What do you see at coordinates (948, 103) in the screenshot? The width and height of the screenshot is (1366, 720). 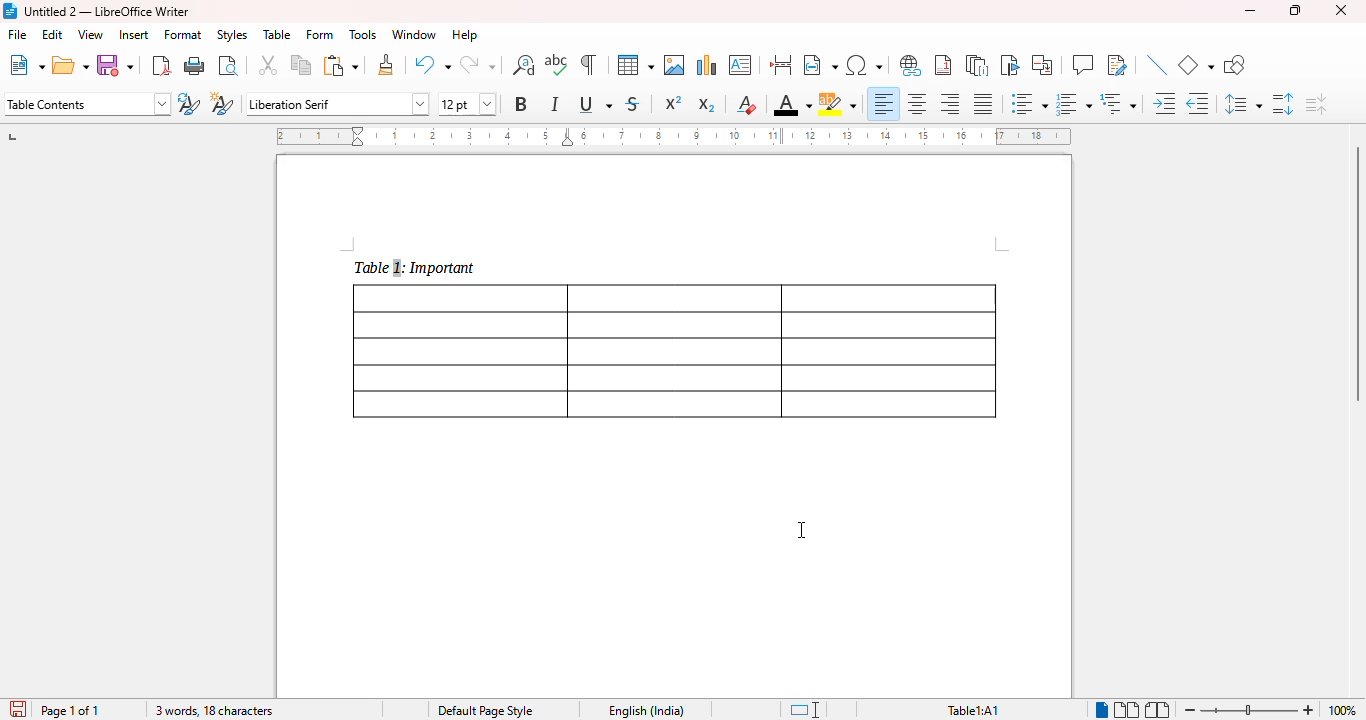 I see `align right` at bounding box center [948, 103].